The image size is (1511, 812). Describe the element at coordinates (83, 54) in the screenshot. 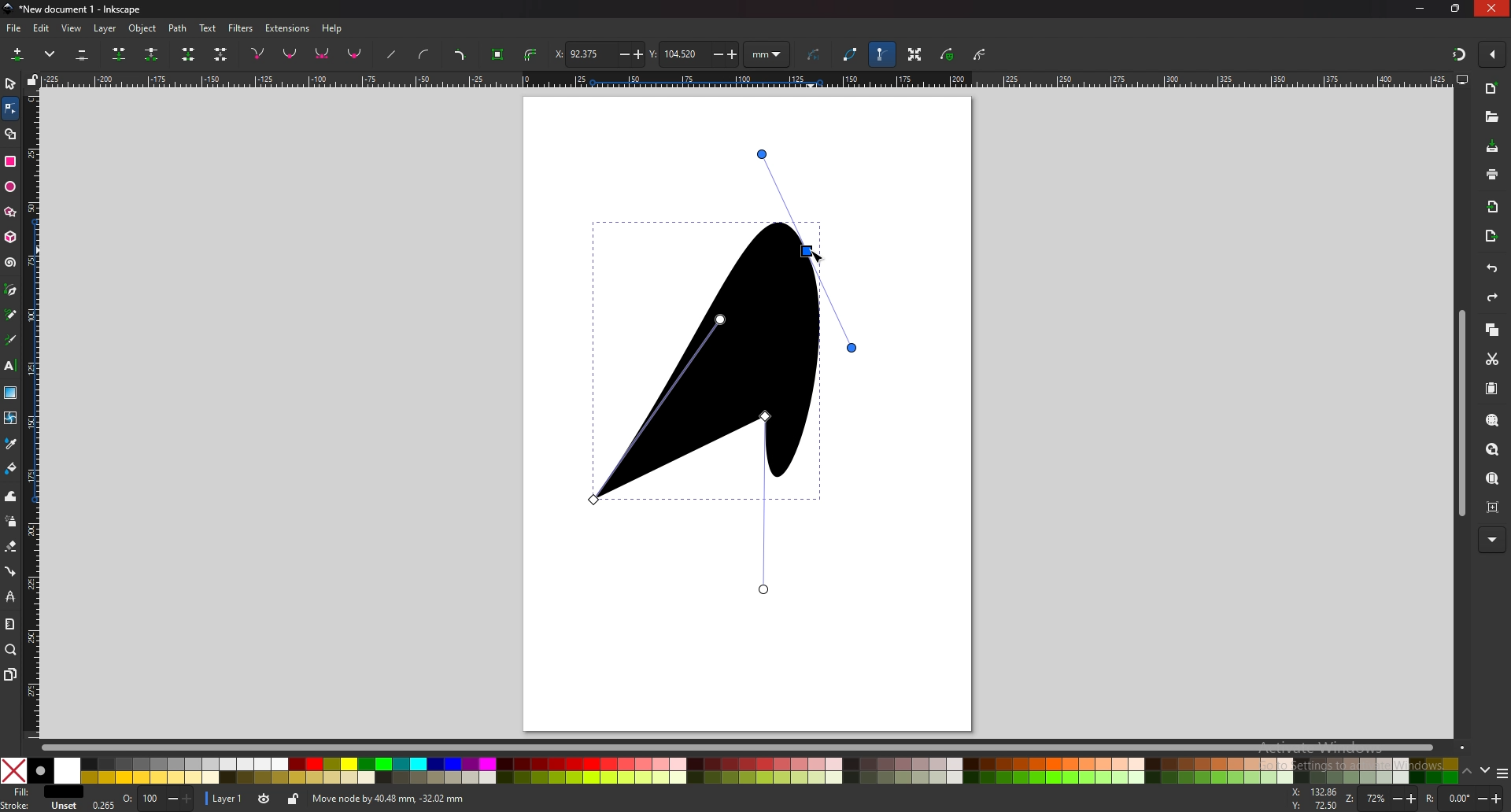

I see `delete selected nodes` at that location.